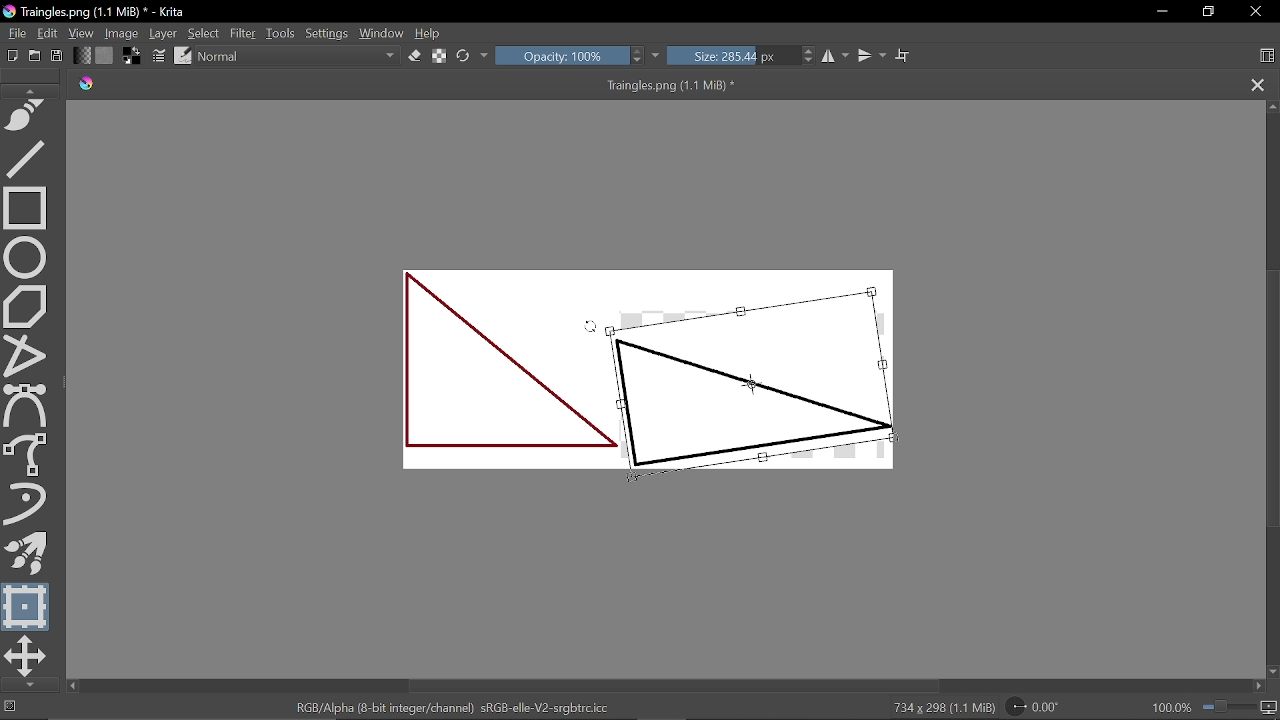 The image size is (1280, 720). What do you see at coordinates (27, 606) in the screenshot?
I see `Transform a selection or a layer` at bounding box center [27, 606].